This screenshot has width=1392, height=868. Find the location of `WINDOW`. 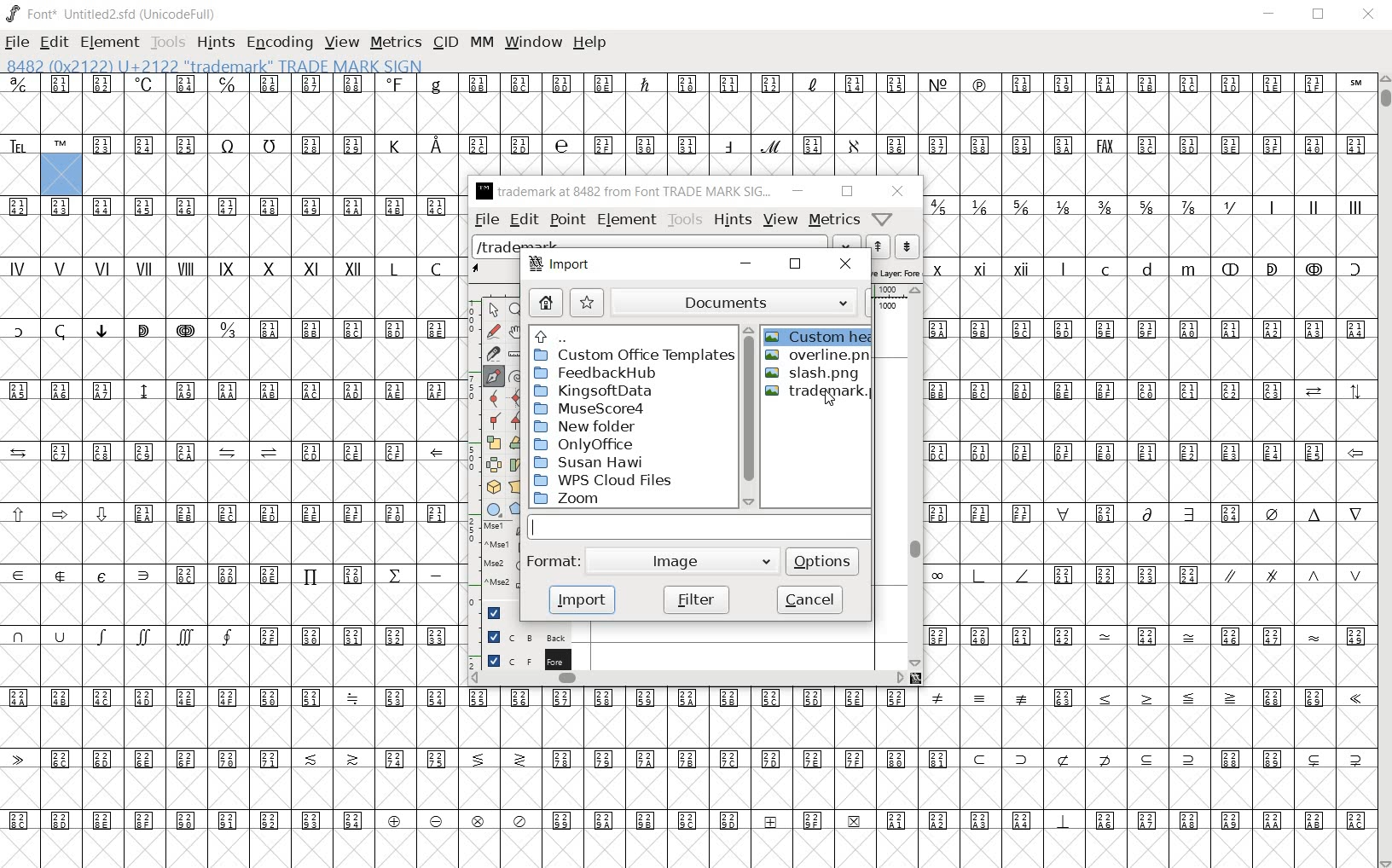

WINDOW is located at coordinates (531, 43).